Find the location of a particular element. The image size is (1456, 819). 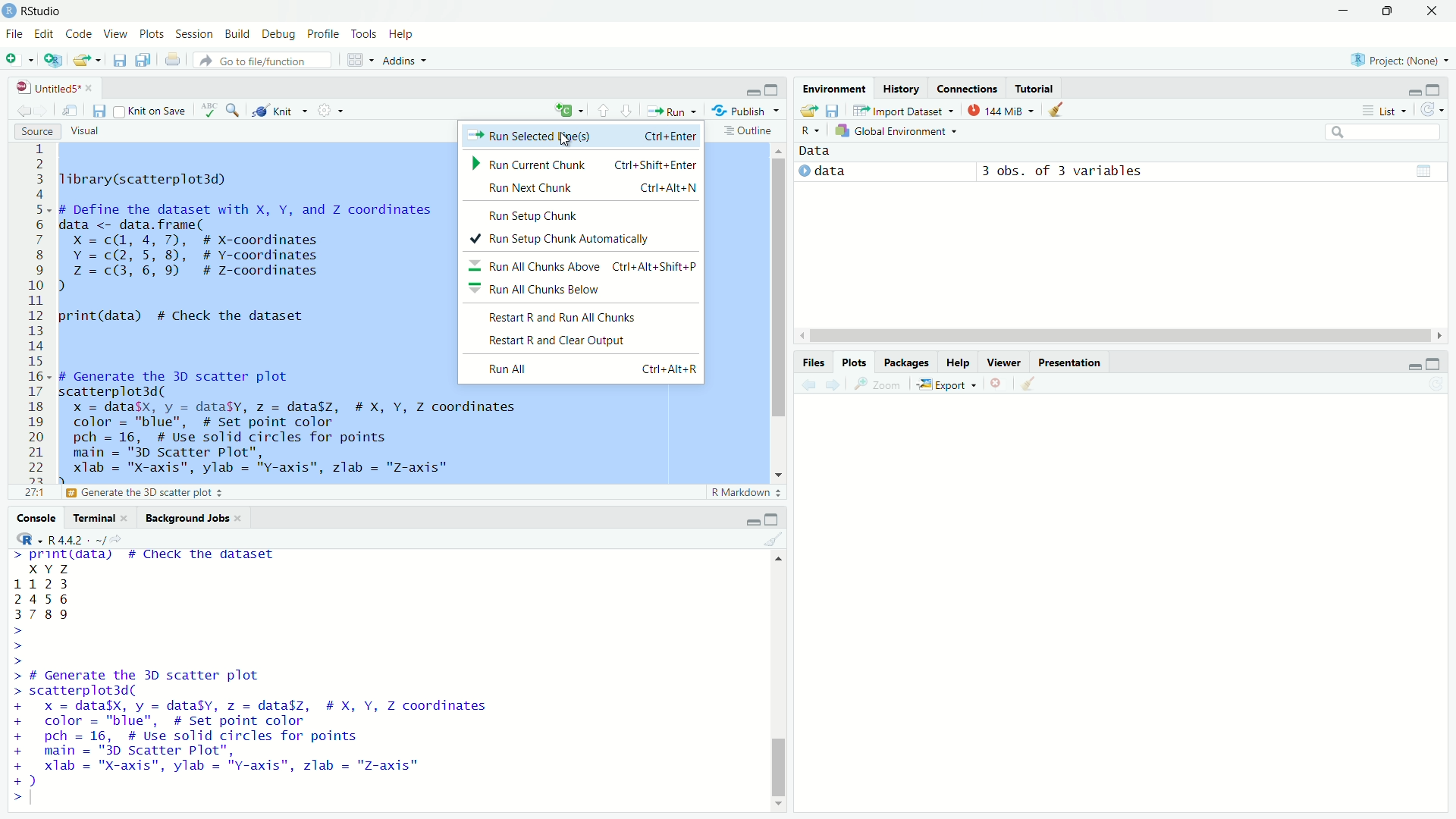

outline is located at coordinates (751, 130).